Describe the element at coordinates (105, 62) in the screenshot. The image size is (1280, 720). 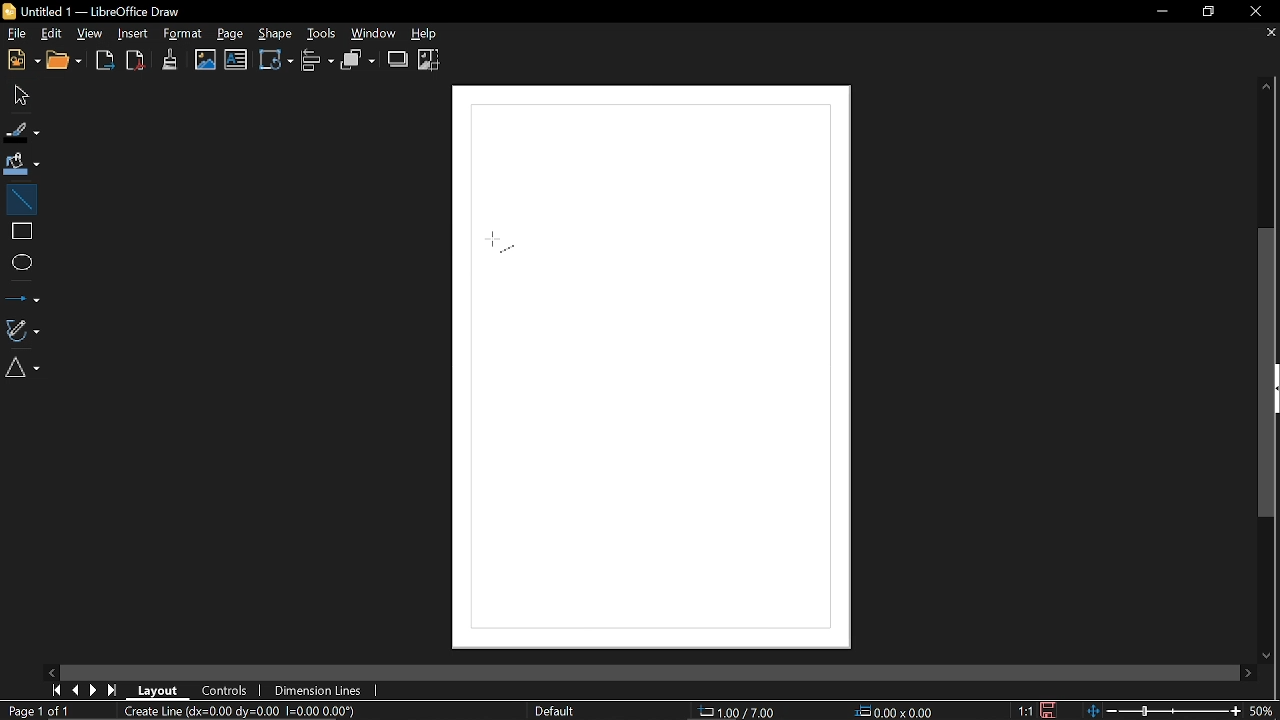
I see `Export` at that location.